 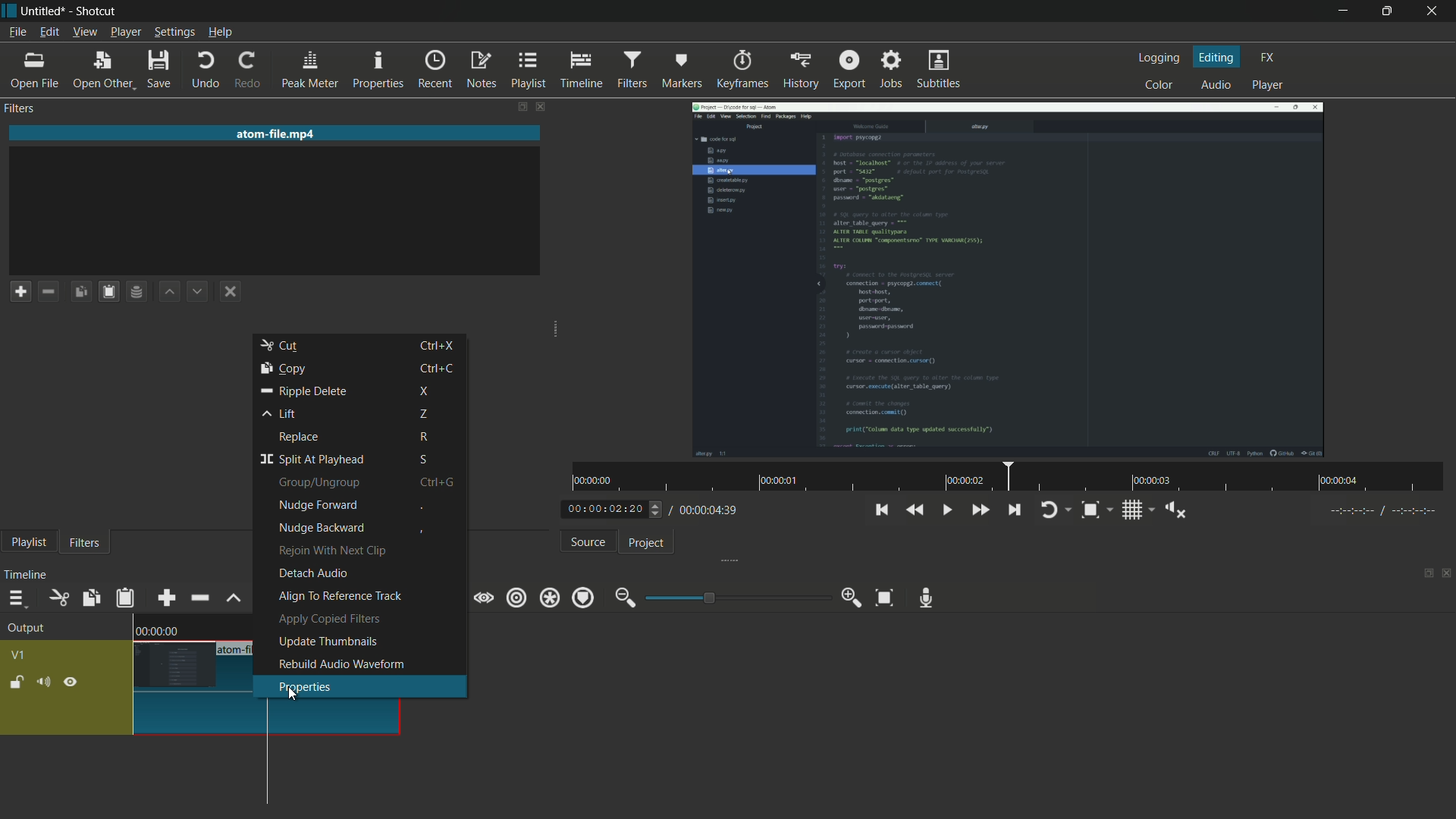 I want to click on split at playhead, so click(x=310, y=461).